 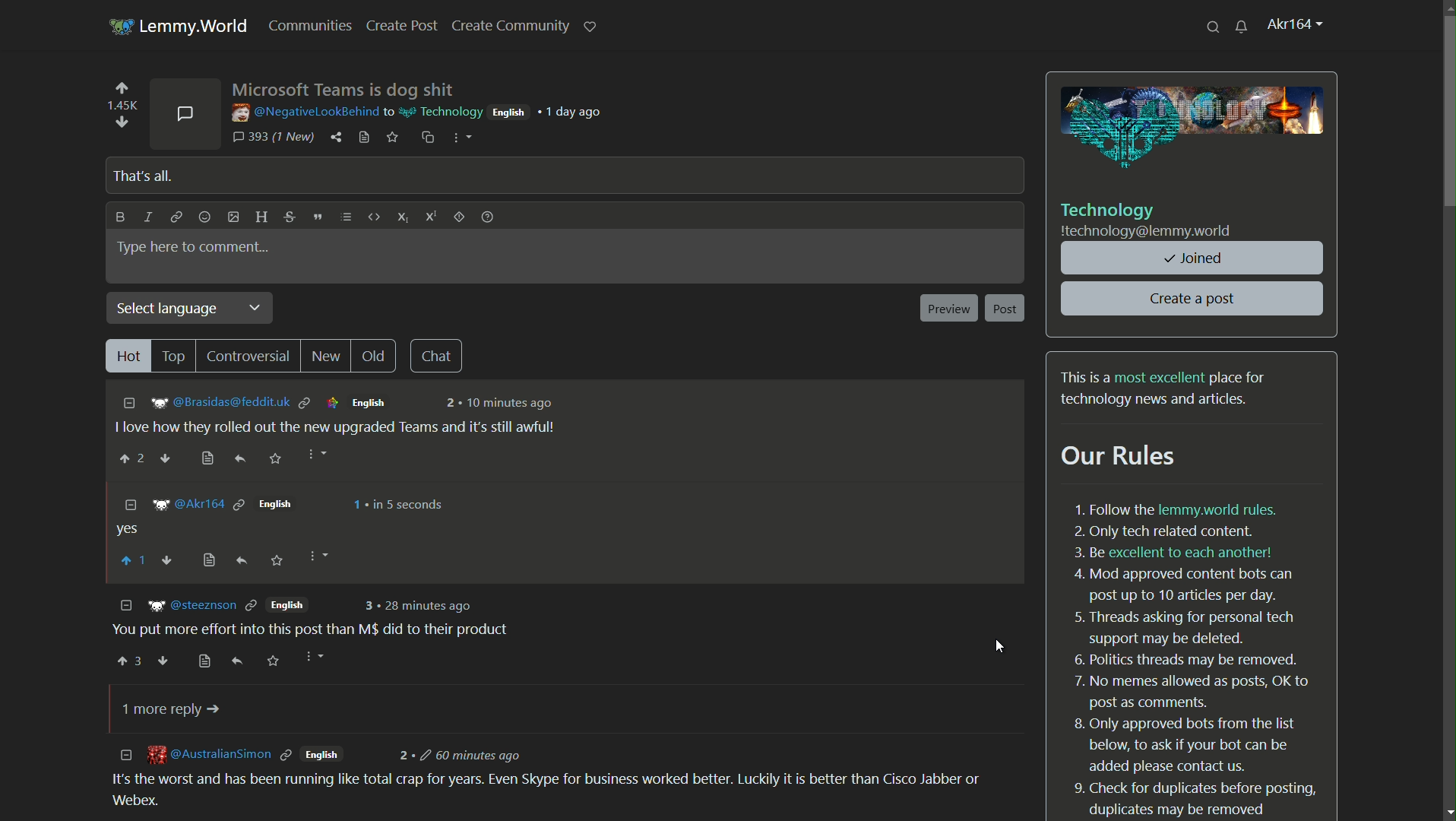 I want to click on view source, so click(x=204, y=658).